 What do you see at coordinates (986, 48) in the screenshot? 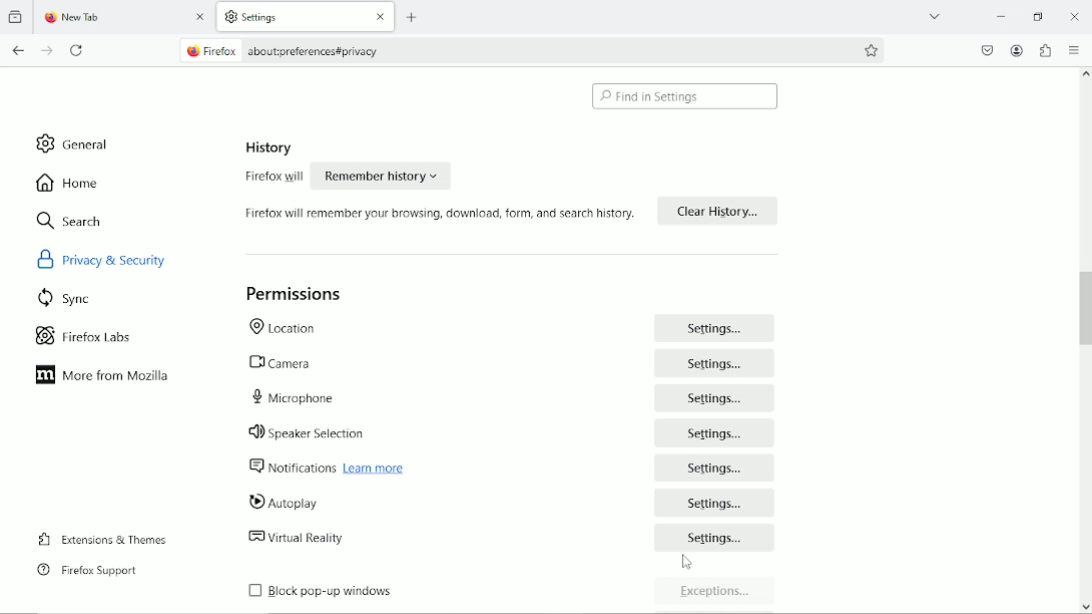
I see `save to pocket` at bounding box center [986, 48].